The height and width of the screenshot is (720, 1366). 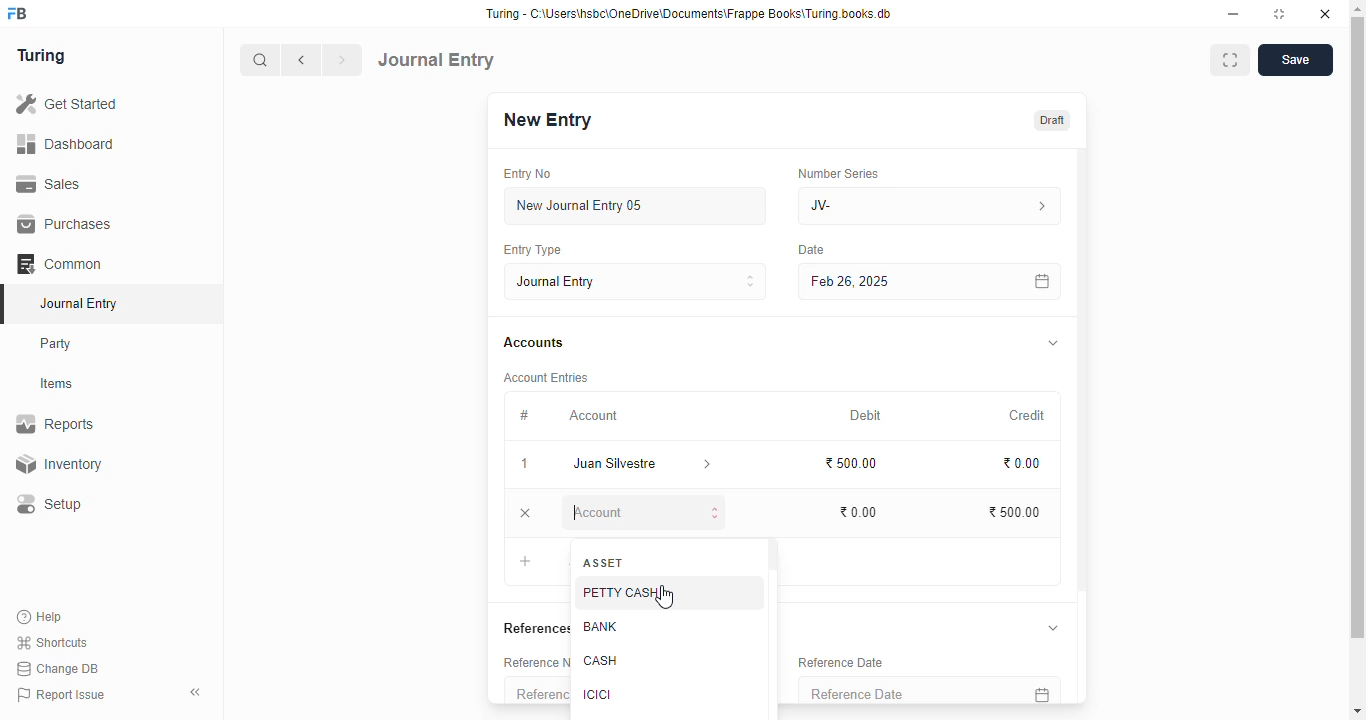 What do you see at coordinates (197, 692) in the screenshot?
I see `toggle sidebar` at bounding box center [197, 692].